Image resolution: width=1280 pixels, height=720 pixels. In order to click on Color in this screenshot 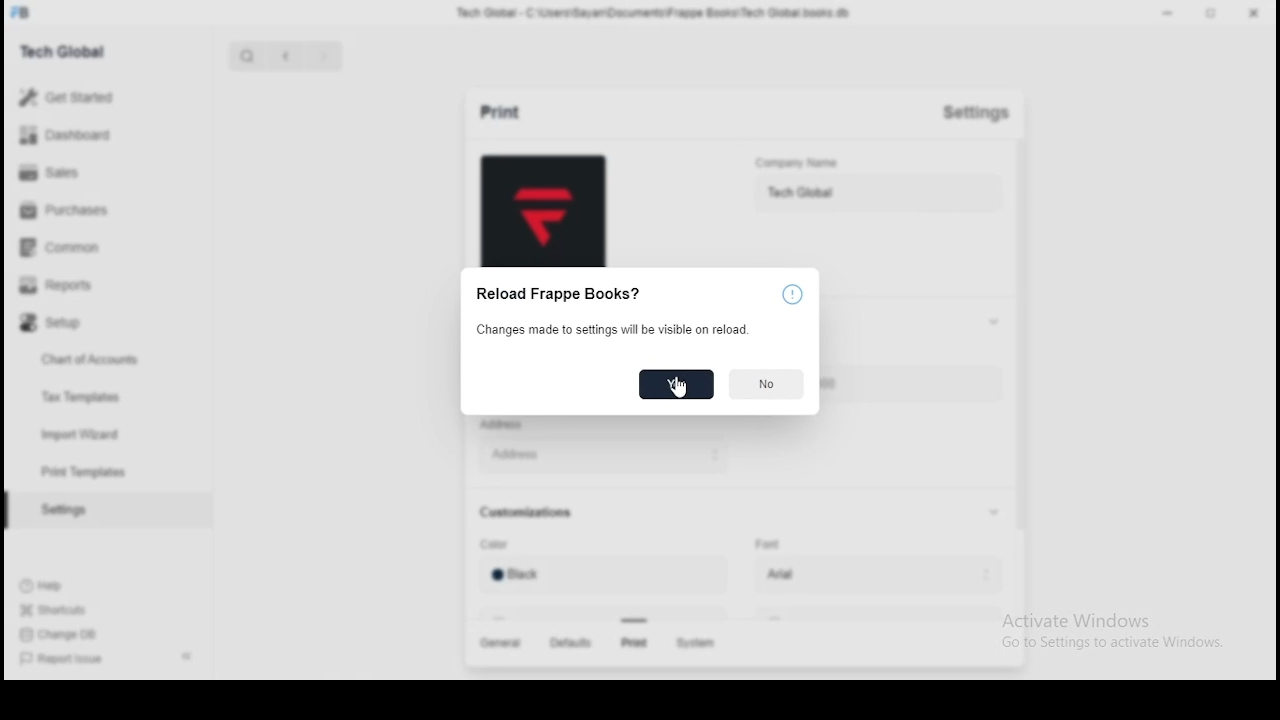, I will do `click(504, 546)`.